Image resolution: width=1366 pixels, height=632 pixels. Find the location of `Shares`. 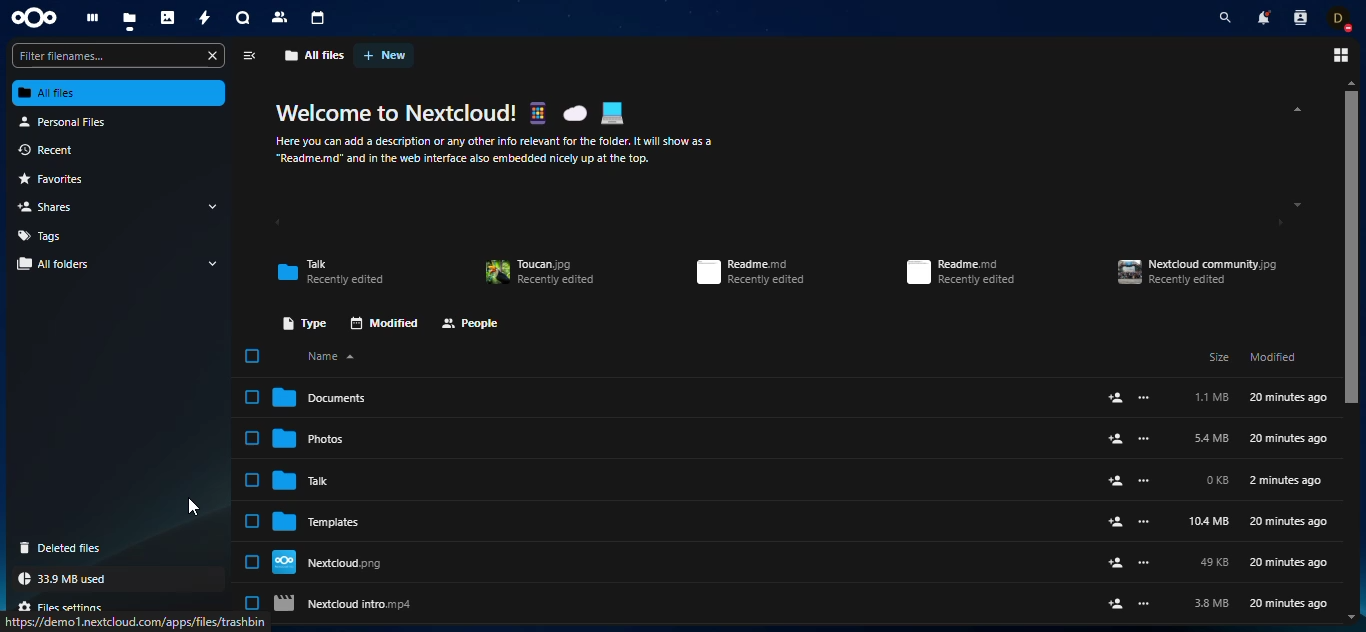

Shares is located at coordinates (48, 208).